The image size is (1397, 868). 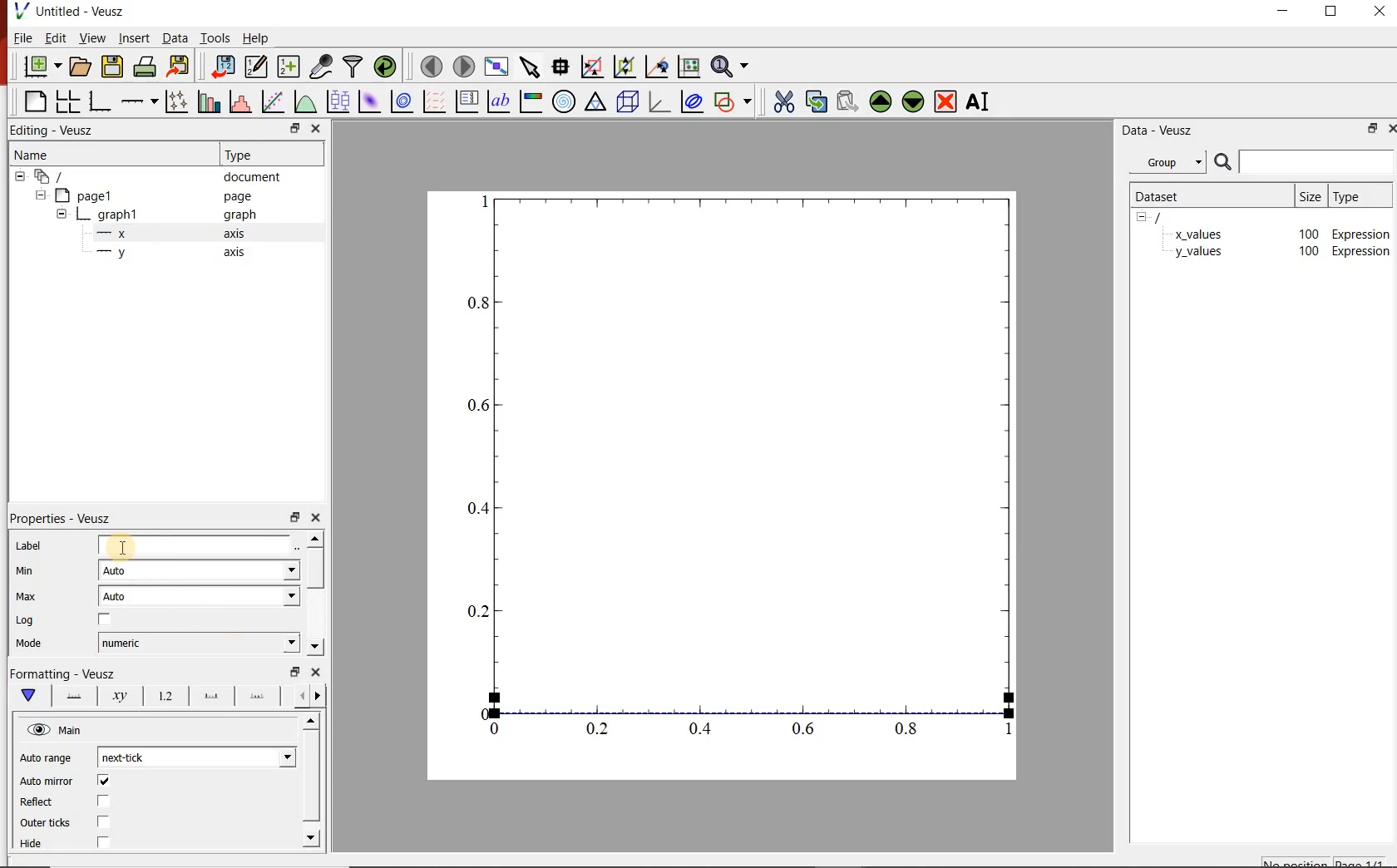 I want to click on minimize, so click(x=1282, y=13).